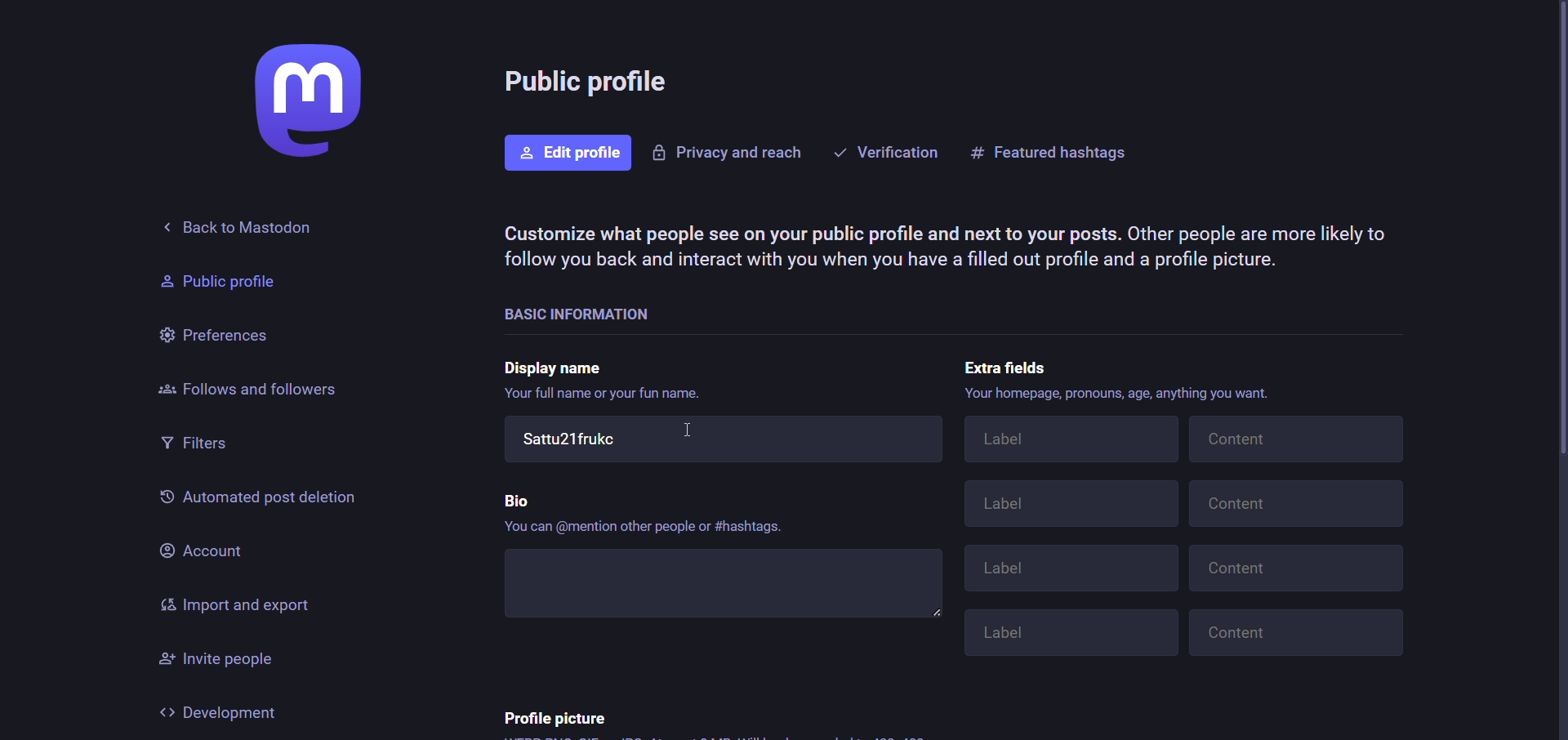 This screenshot has height=740, width=1568. What do you see at coordinates (209, 282) in the screenshot?
I see `Public profile` at bounding box center [209, 282].